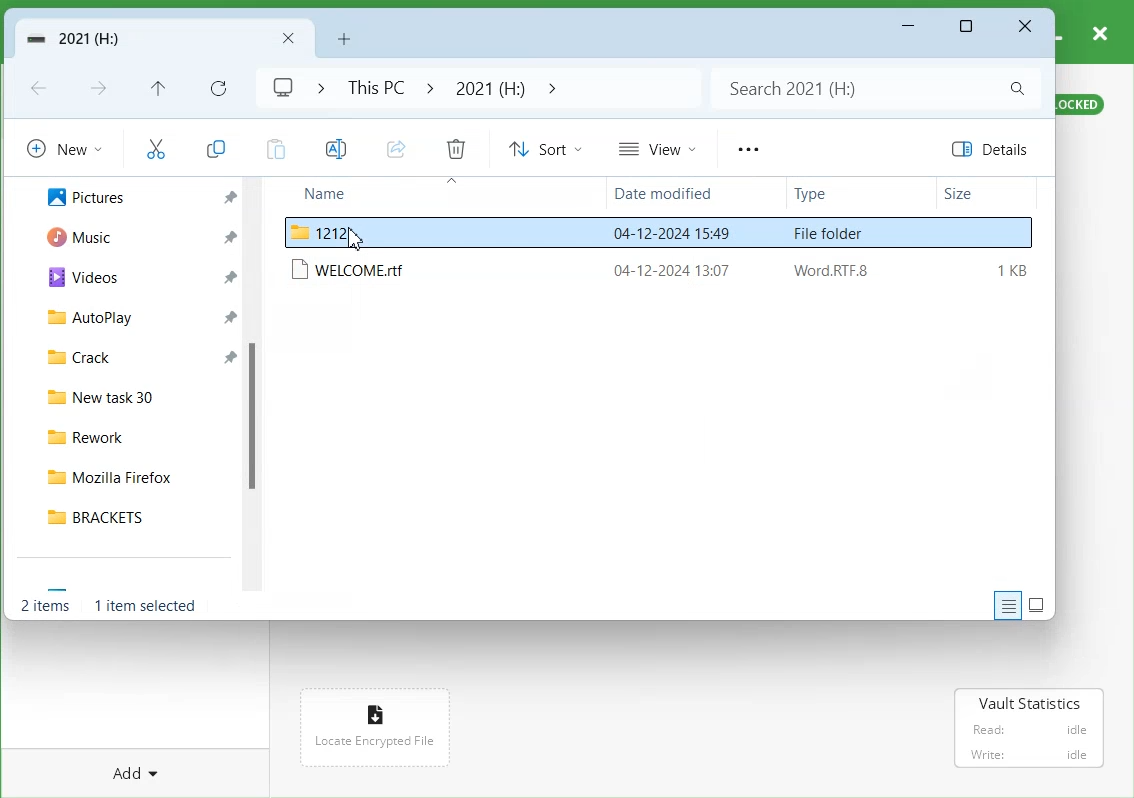 The image size is (1134, 798). What do you see at coordinates (282, 88) in the screenshot?
I see `Logo` at bounding box center [282, 88].